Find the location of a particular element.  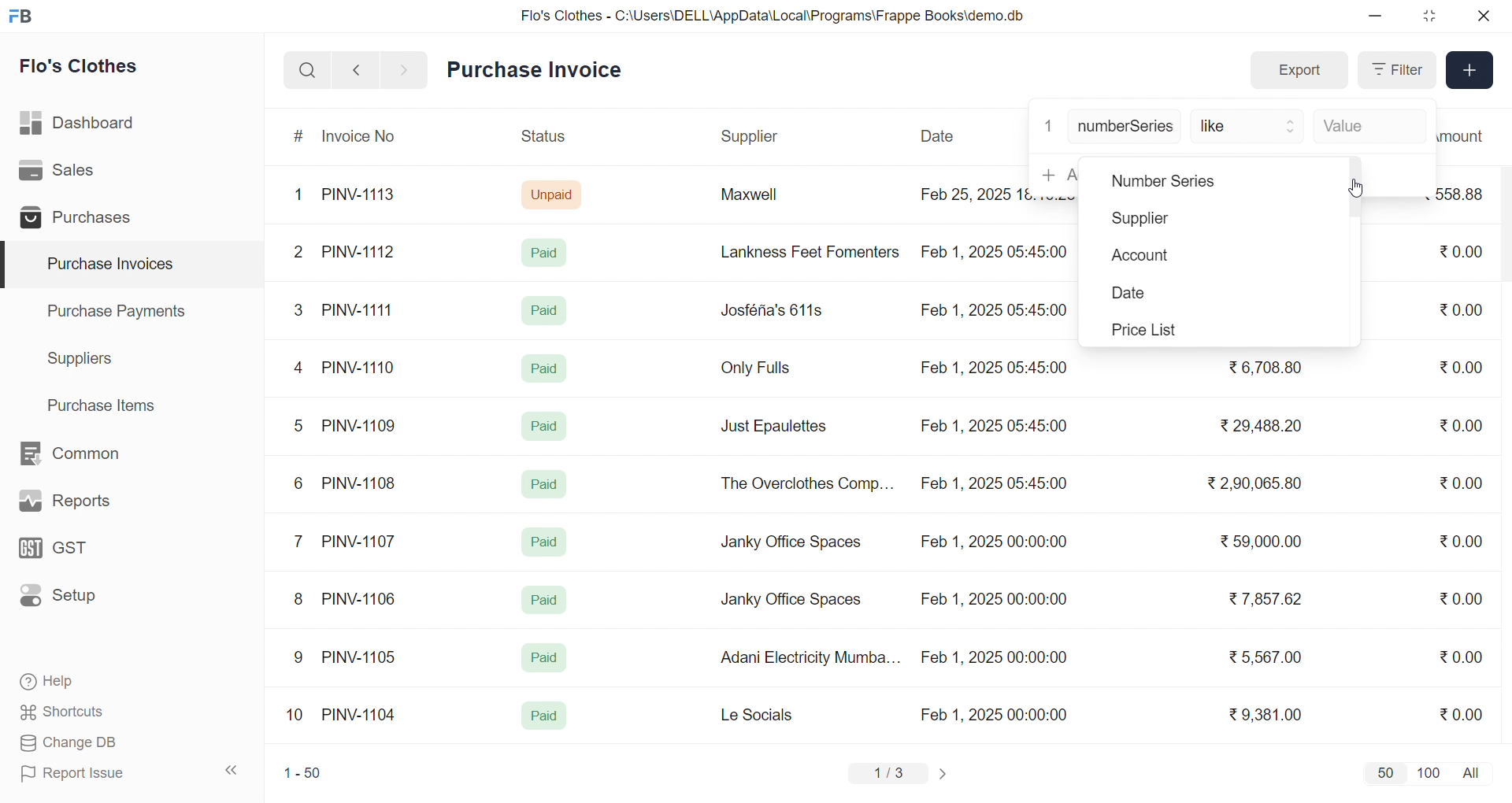

₹0.00 is located at coordinates (1452, 426).